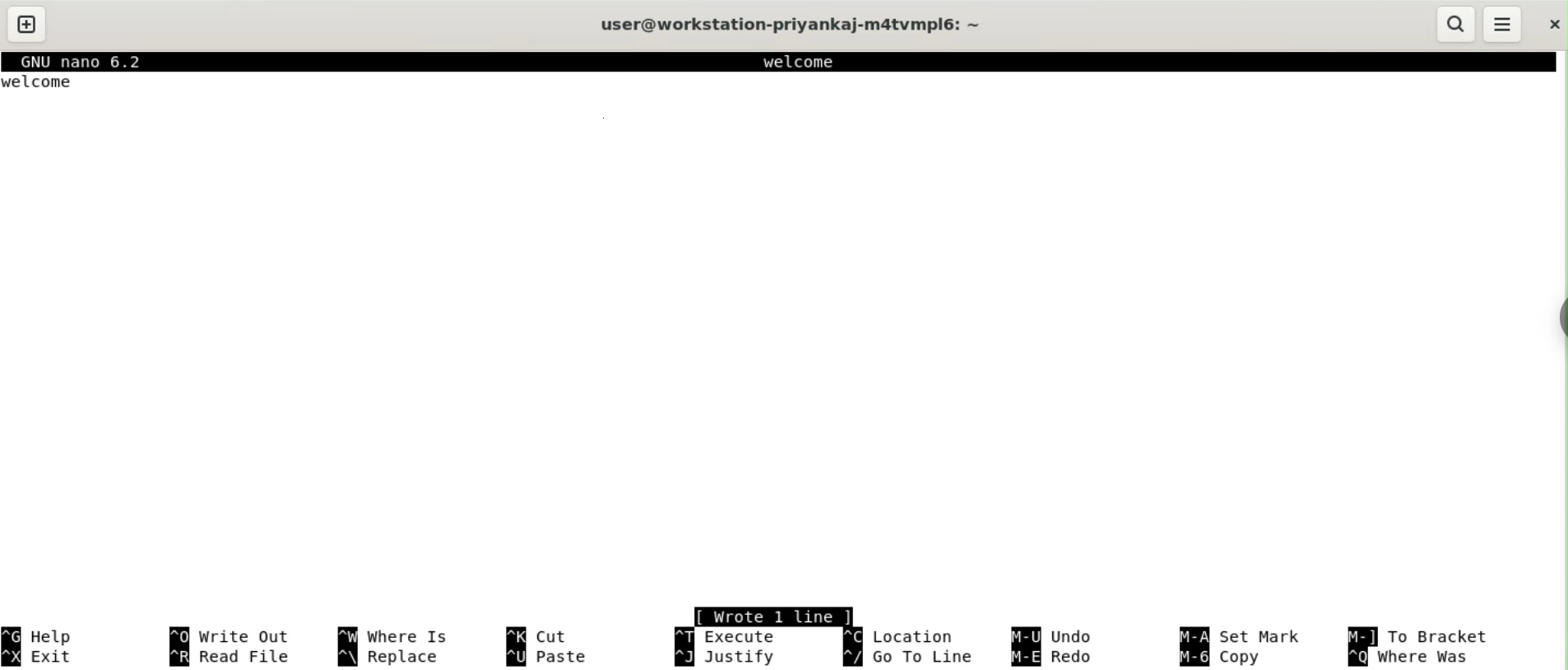 The width and height of the screenshot is (1568, 670). Describe the element at coordinates (1456, 24) in the screenshot. I see `search` at that location.